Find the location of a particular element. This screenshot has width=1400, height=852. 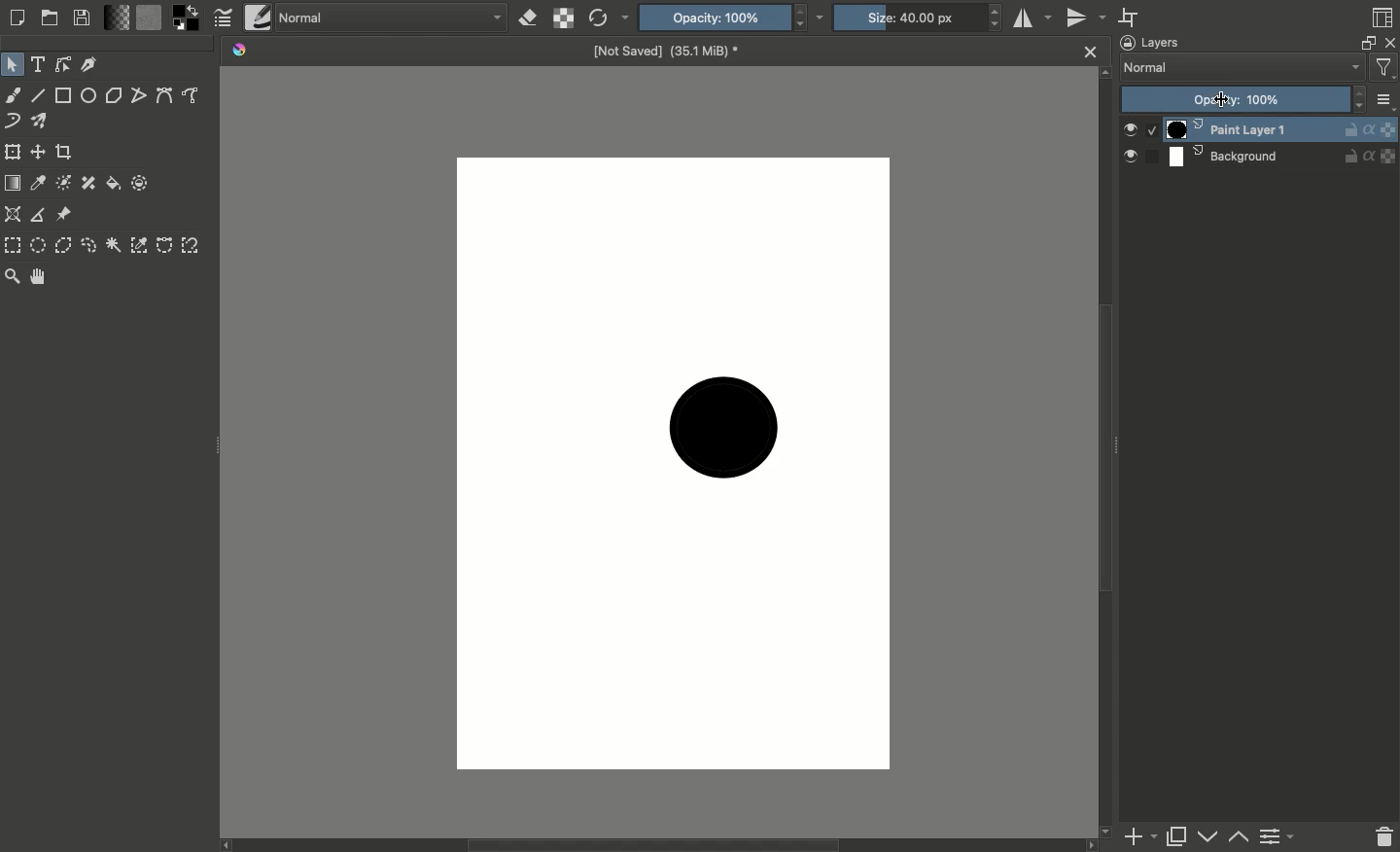

Horizontal mirror tool is located at coordinates (1032, 19).